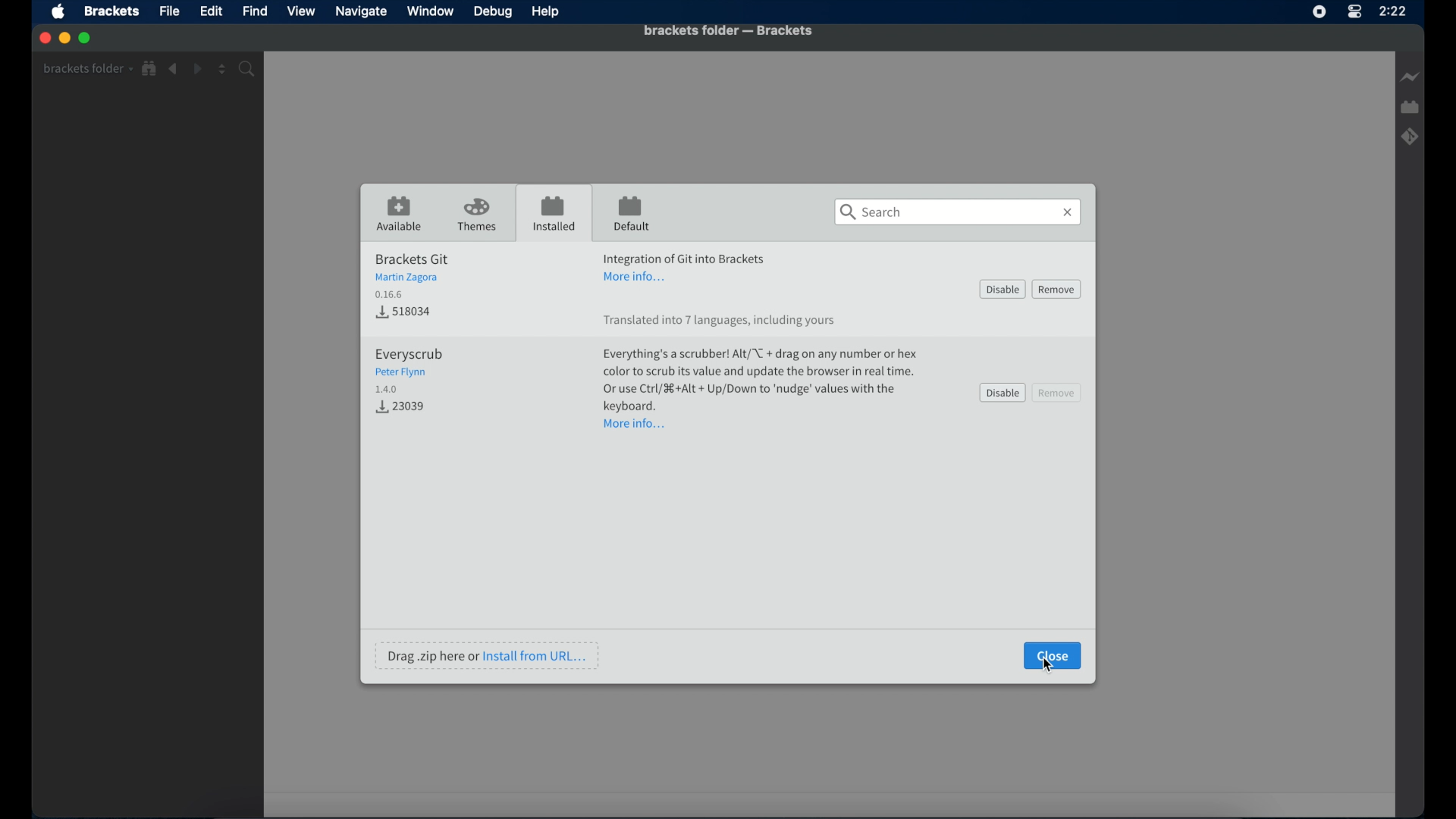 The image size is (1456, 819). What do you see at coordinates (249, 69) in the screenshot?
I see `search bar` at bounding box center [249, 69].